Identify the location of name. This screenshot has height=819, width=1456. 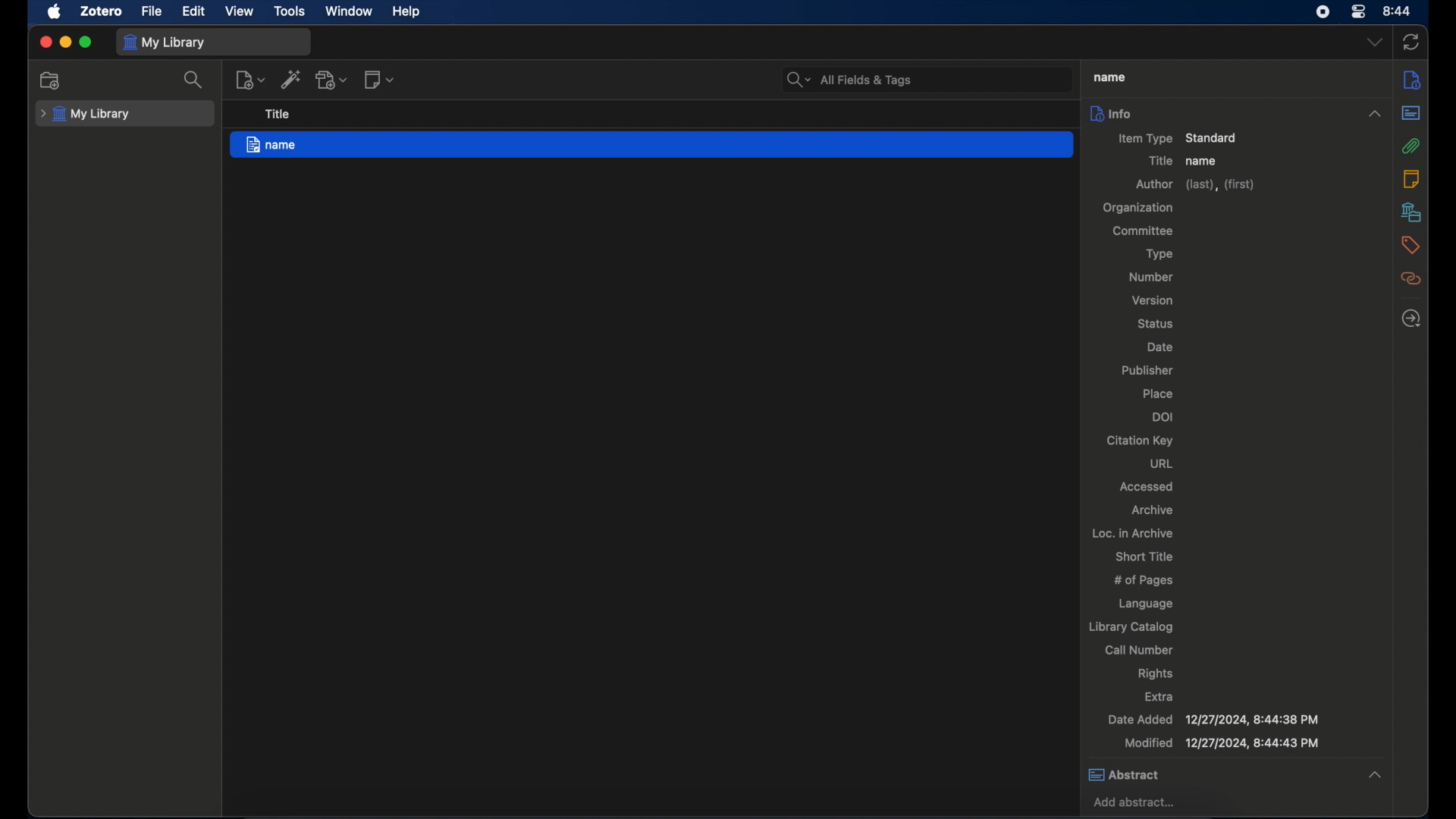
(1203, 162).